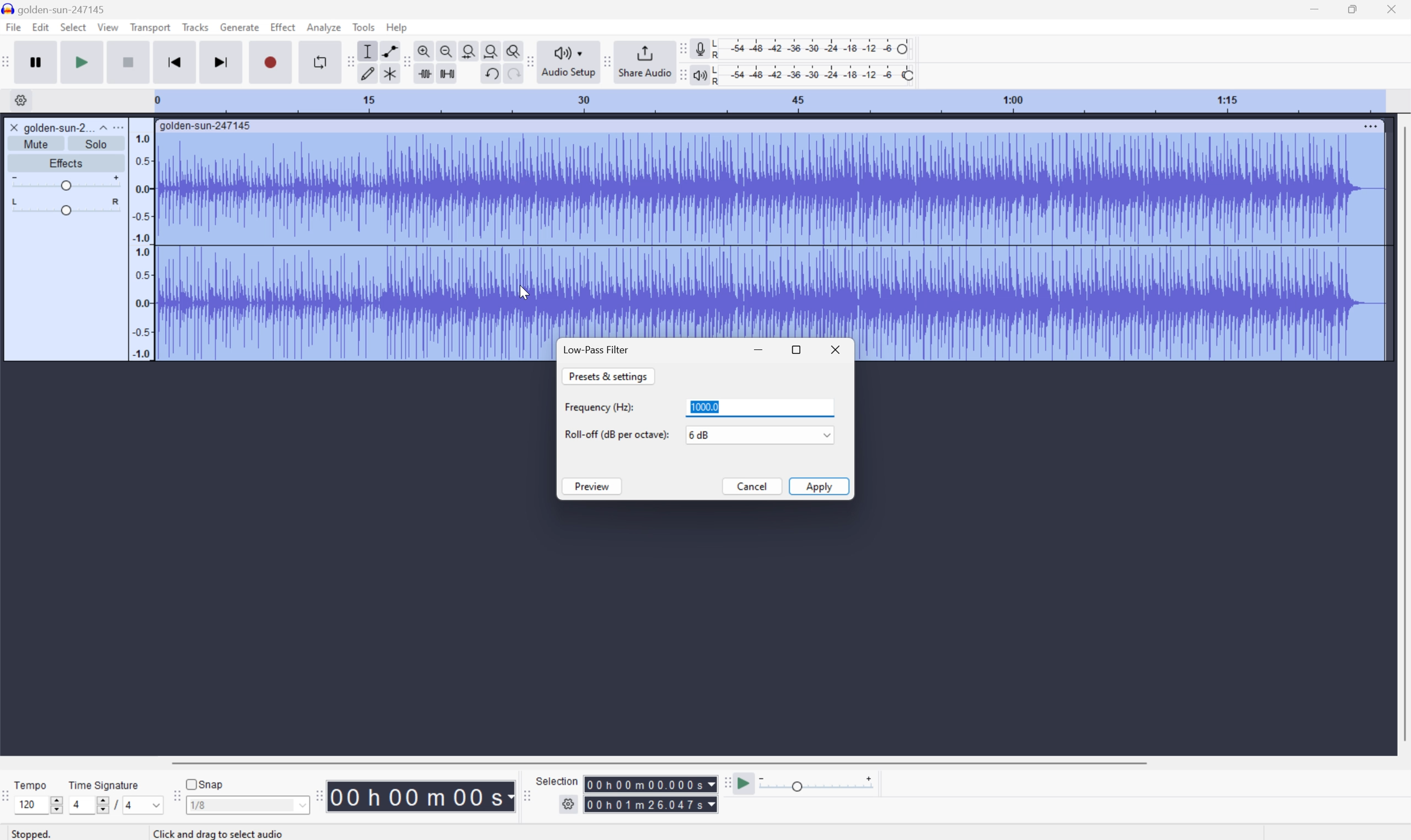  What do you see at coordinates (145, 805) in the screenshot?
I see `4` at bounding box center [145, 805].